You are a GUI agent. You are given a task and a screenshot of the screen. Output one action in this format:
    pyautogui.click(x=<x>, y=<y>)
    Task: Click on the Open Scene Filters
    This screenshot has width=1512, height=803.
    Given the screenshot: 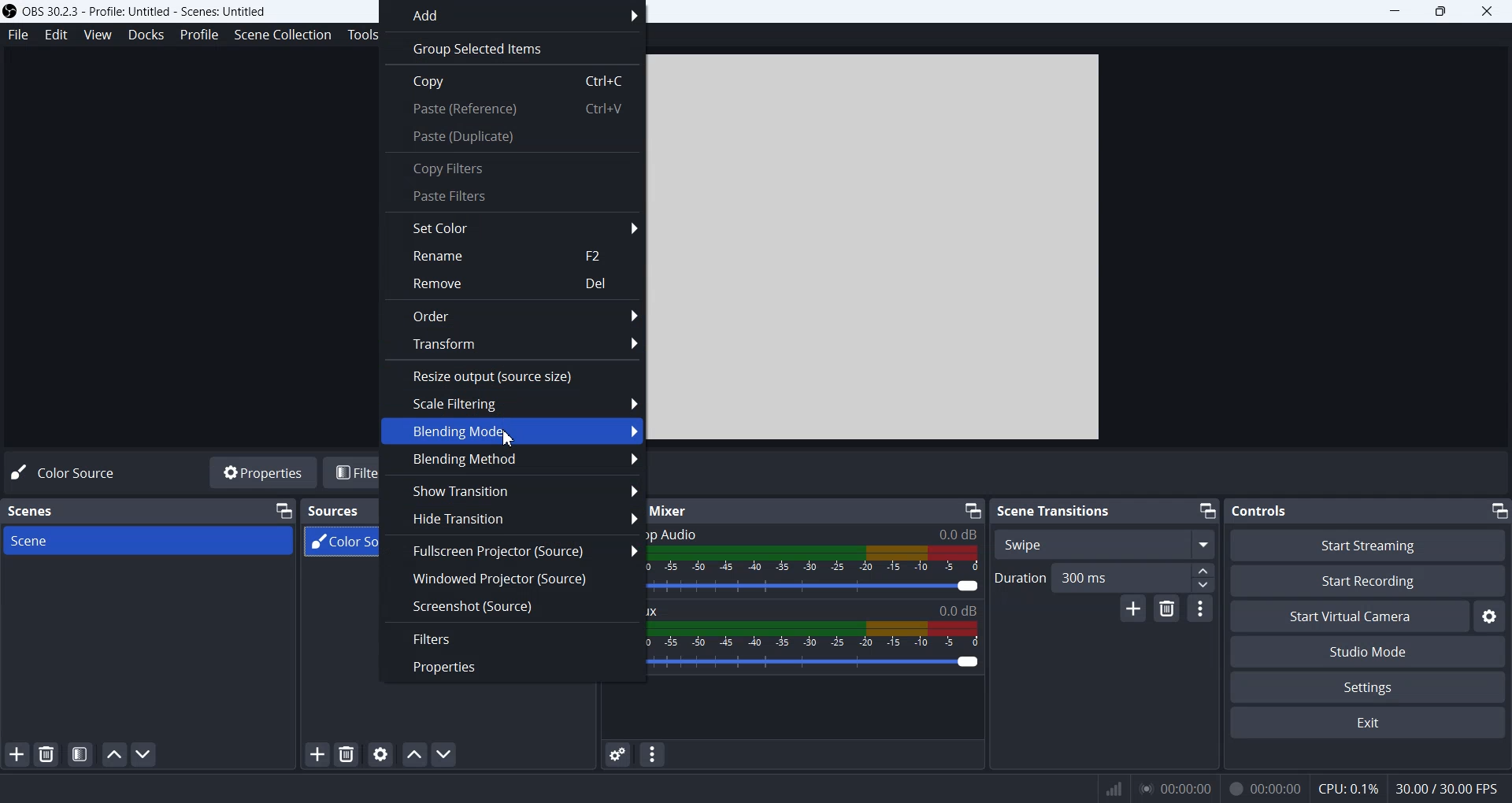 What is the action you would take?
    pyautogui.click(x=79, y=754)
    